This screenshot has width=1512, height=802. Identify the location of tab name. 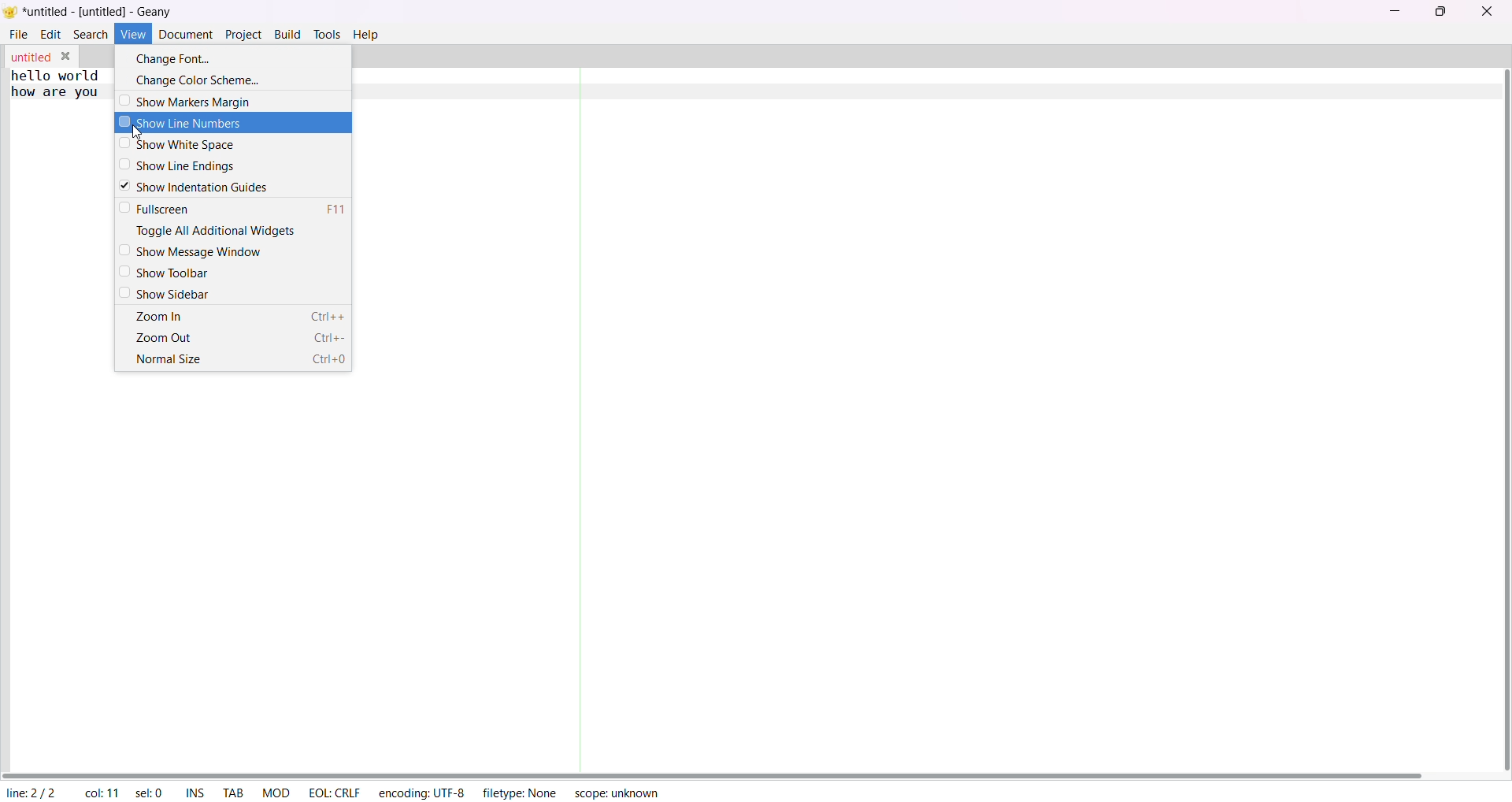
(30, 56).